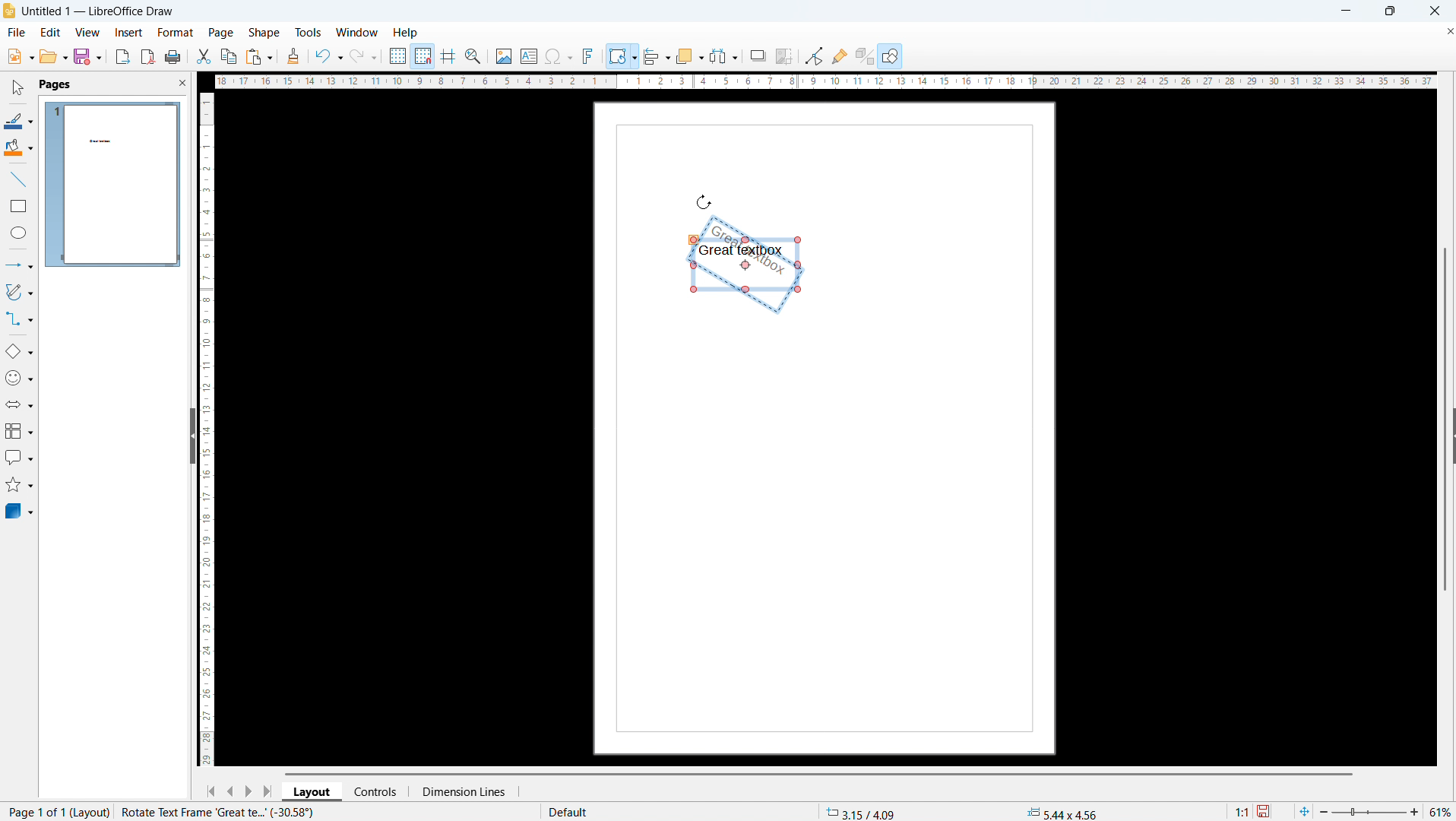 The width and height of the screenshot is (1456, 821). I want to click on stars and banners, so click(19, 485).